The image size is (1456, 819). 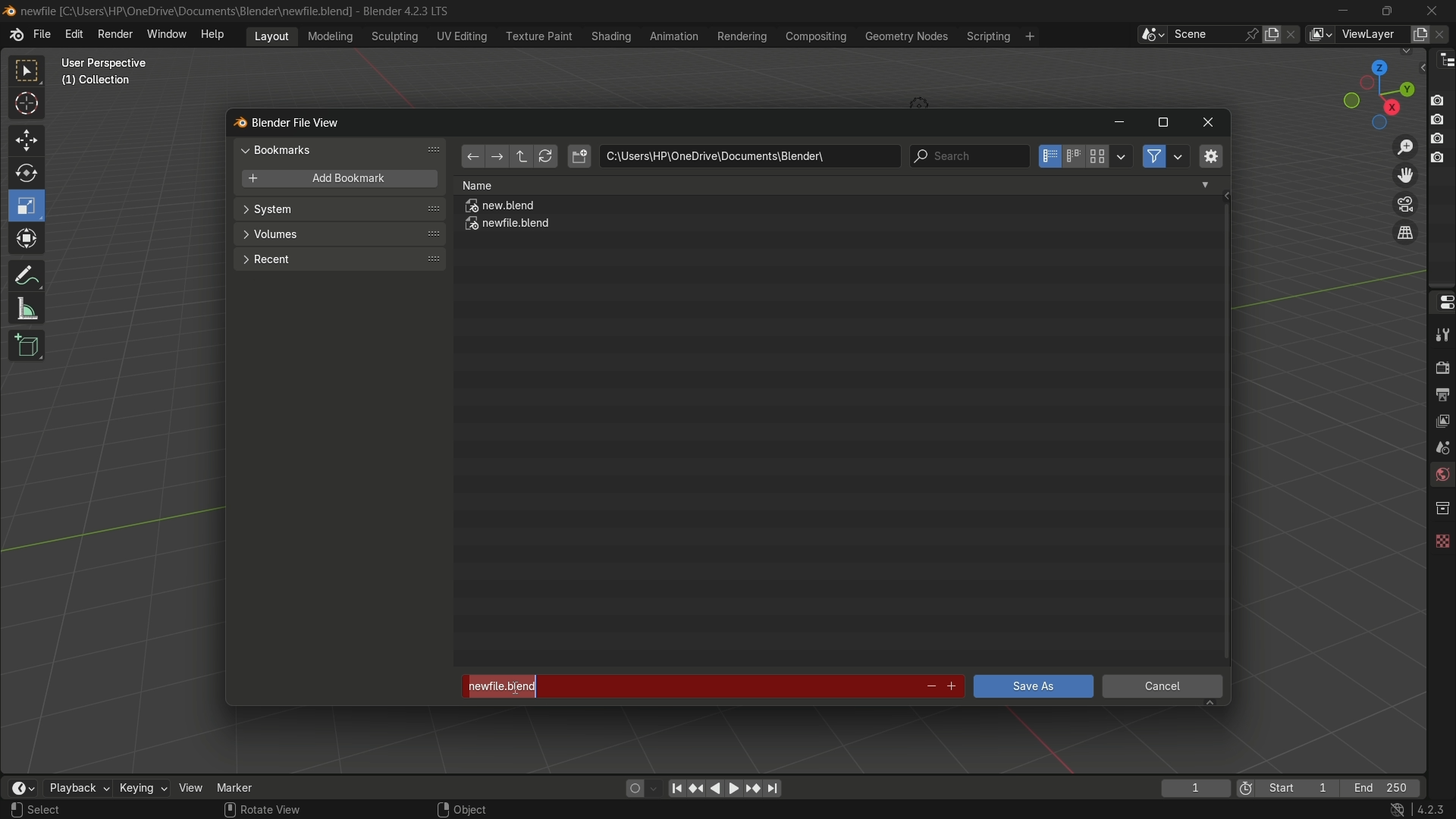 What do you see at coordinates (262, 810) in the screenshot?
I see `Rotate View` at bounding box center [262, 810].